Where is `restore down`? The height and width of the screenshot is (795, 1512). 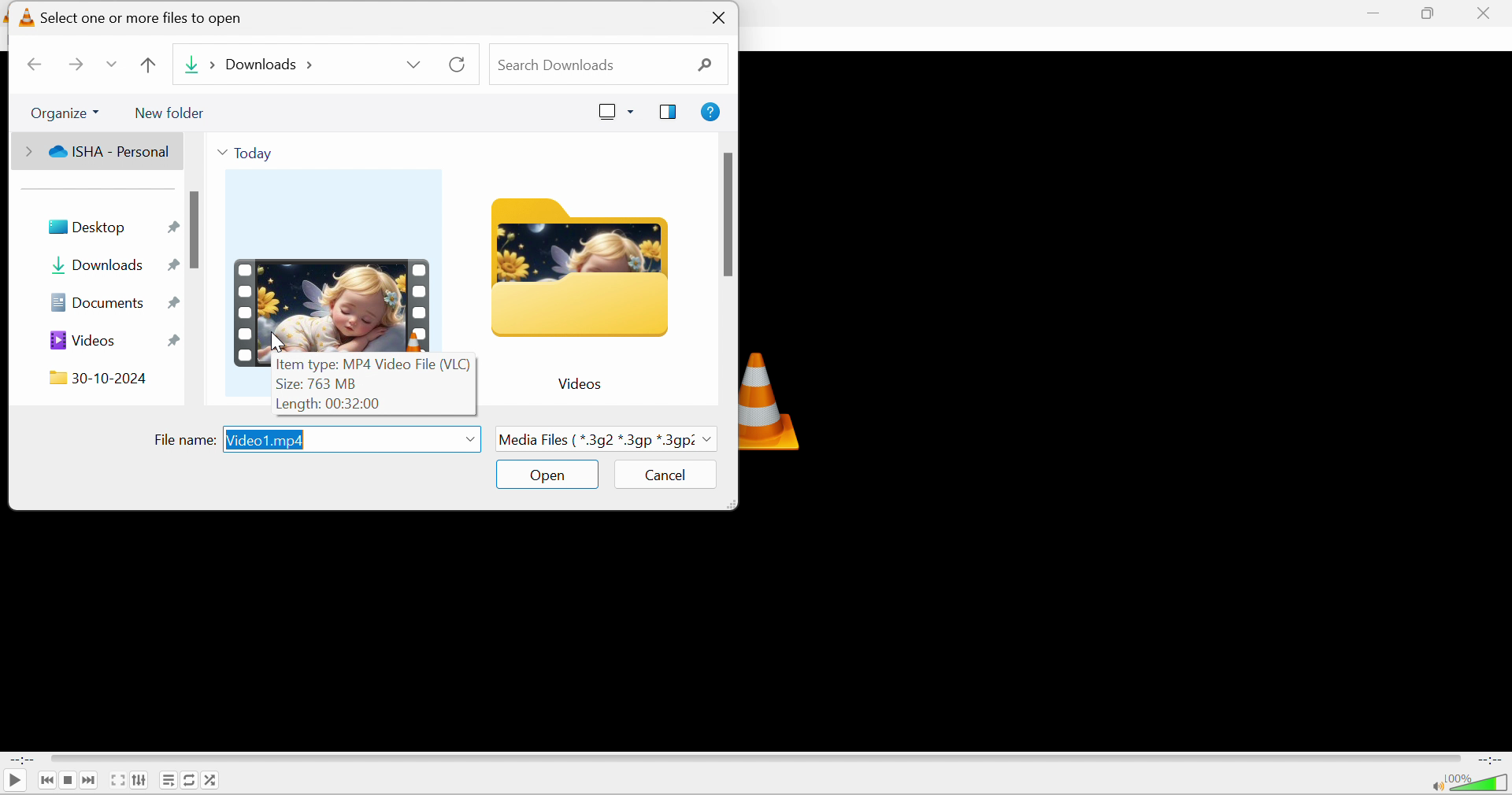
restore down is located at coordinates (1430, 11).